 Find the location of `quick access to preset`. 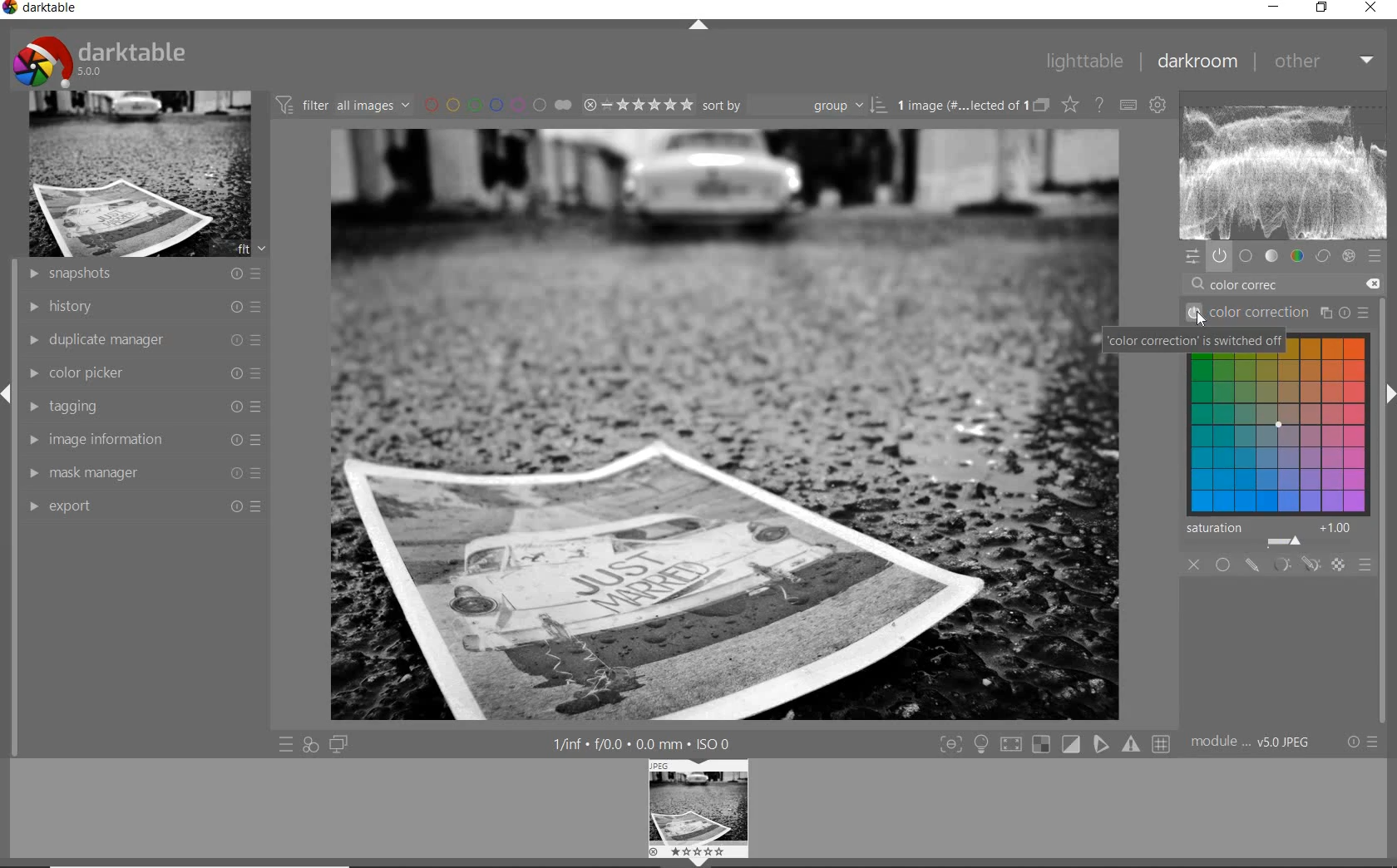

quick access to preset is located at coordinates (286, 742).